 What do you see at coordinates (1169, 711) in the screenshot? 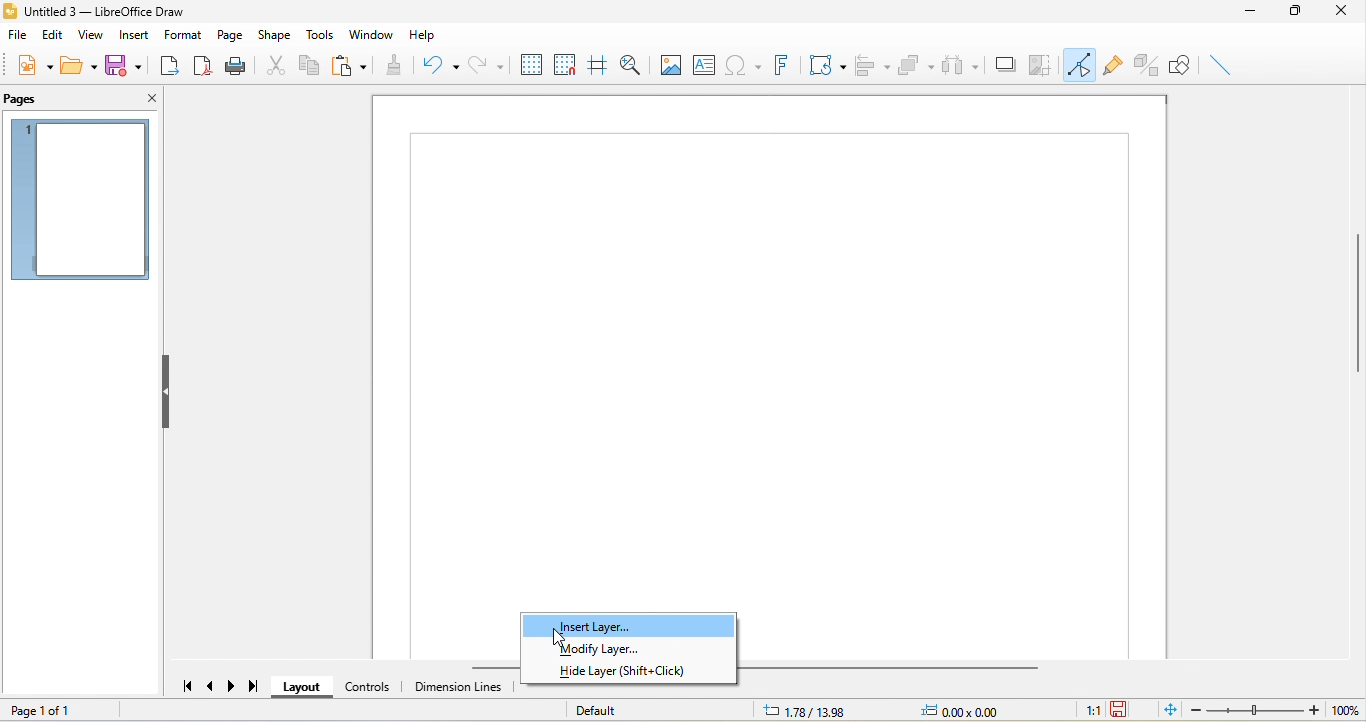
I see `fit page to current window` at bounding box center [1169, 711].